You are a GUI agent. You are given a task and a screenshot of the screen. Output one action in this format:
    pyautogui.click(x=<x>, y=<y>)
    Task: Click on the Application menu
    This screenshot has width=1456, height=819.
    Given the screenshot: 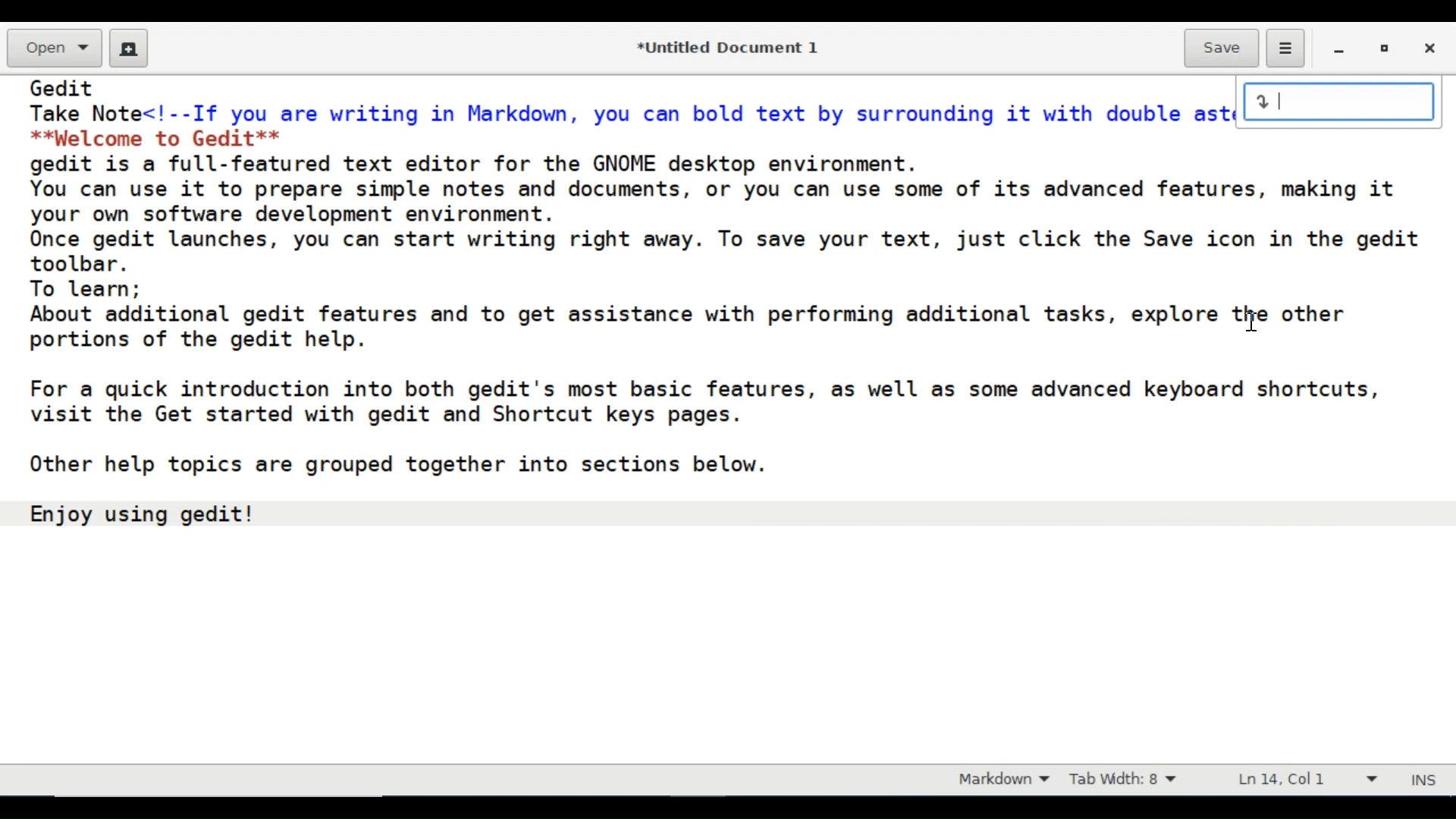 What is the action you would take?
    pyautogui.click(x=1285, y=49)
    